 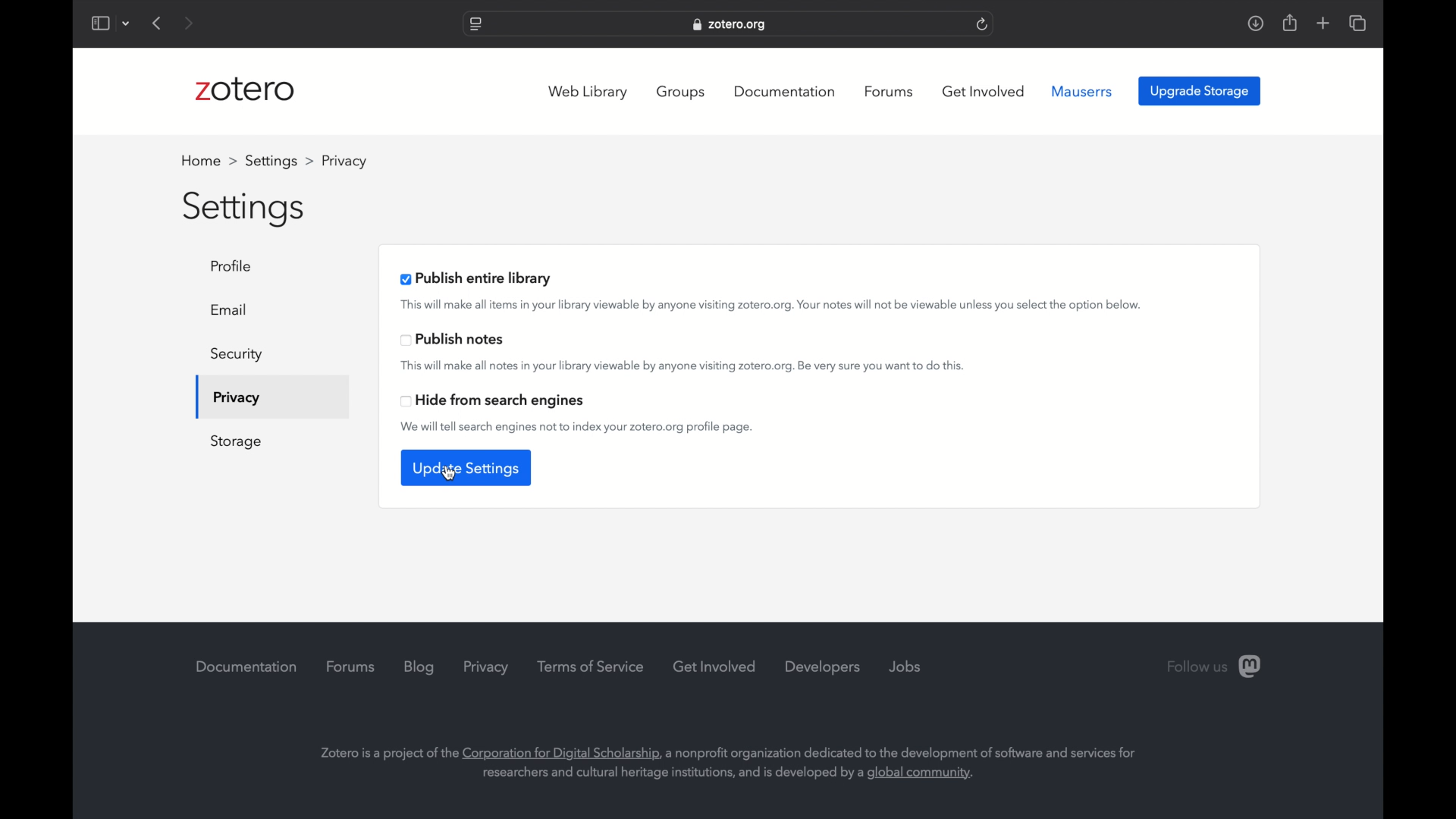 I want to click on storage, so click(x=236, y=442).